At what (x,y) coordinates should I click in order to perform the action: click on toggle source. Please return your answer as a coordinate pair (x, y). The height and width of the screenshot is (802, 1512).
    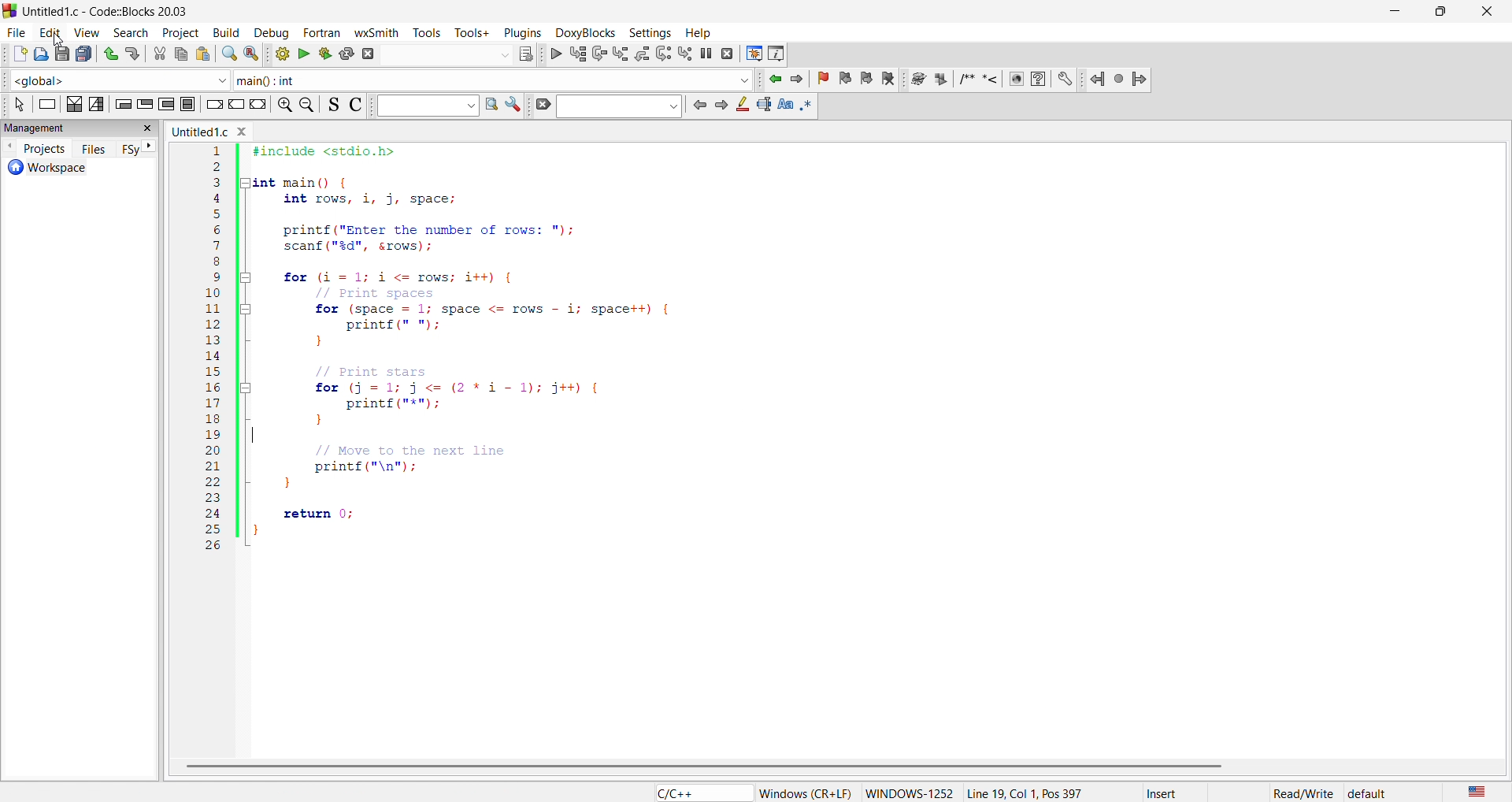
    Looking at the image, I should click on (330, 106).